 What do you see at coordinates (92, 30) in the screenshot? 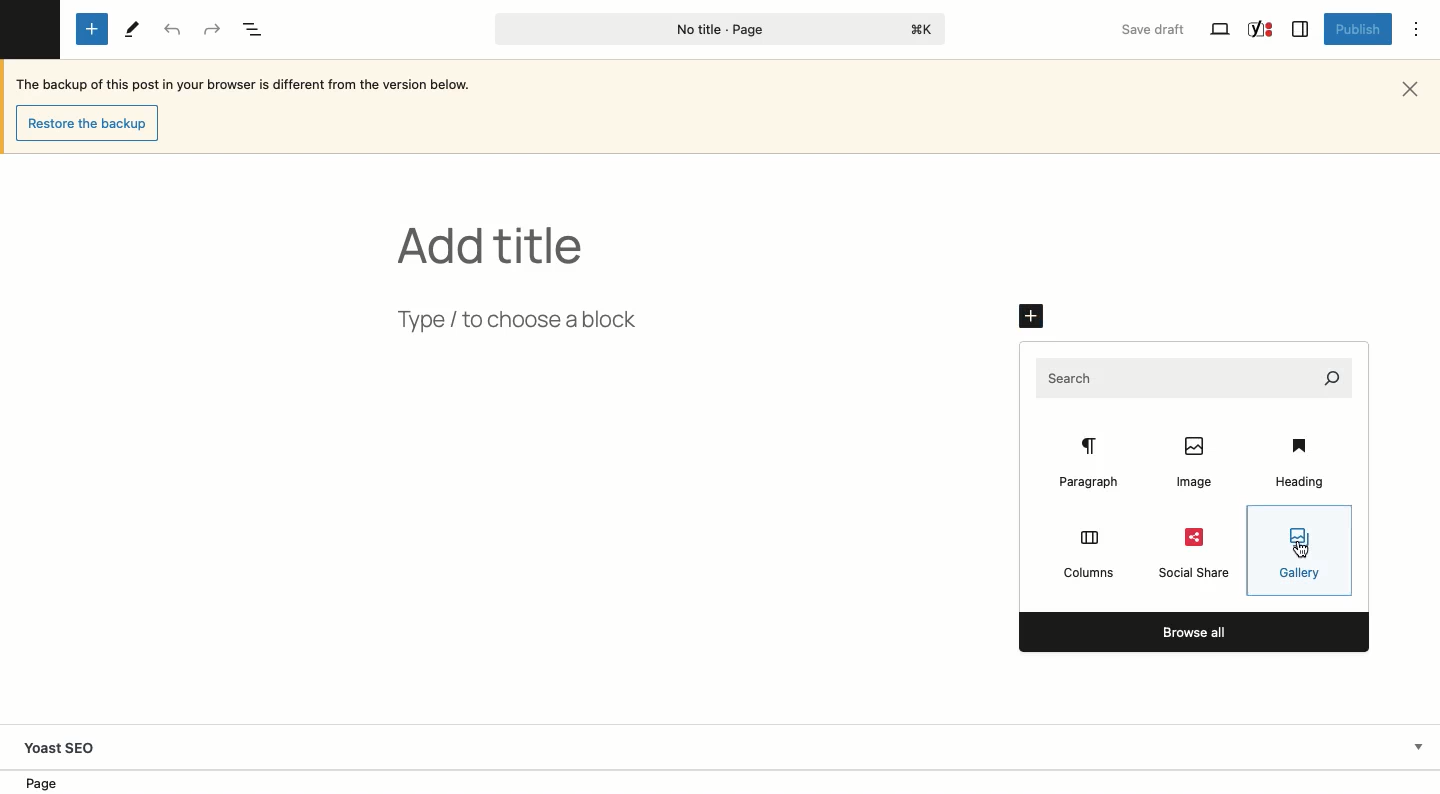
I see `Add new block` at bounding box center [92, 30].